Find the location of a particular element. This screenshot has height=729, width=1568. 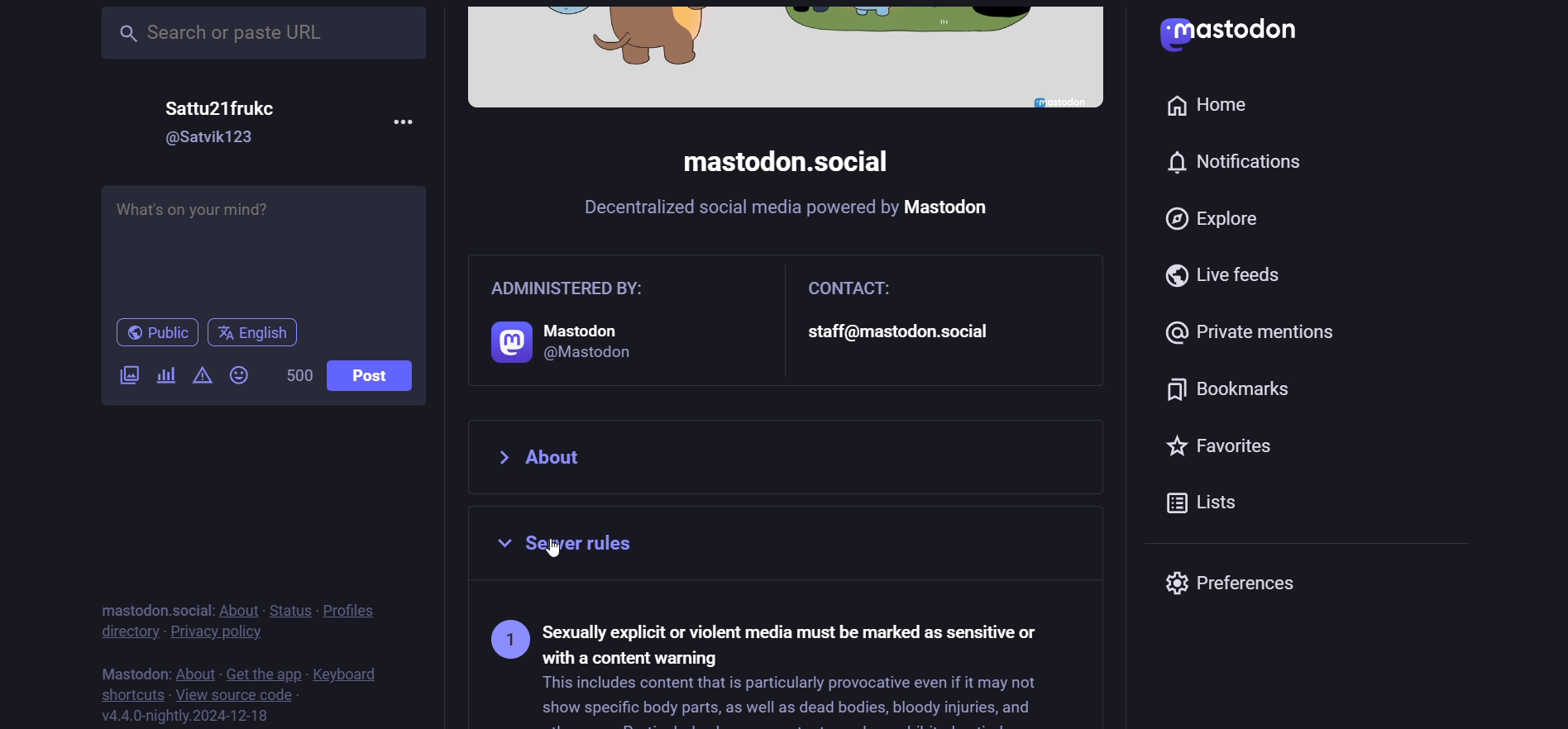

bookmark is located at coordinates (1234, 393).